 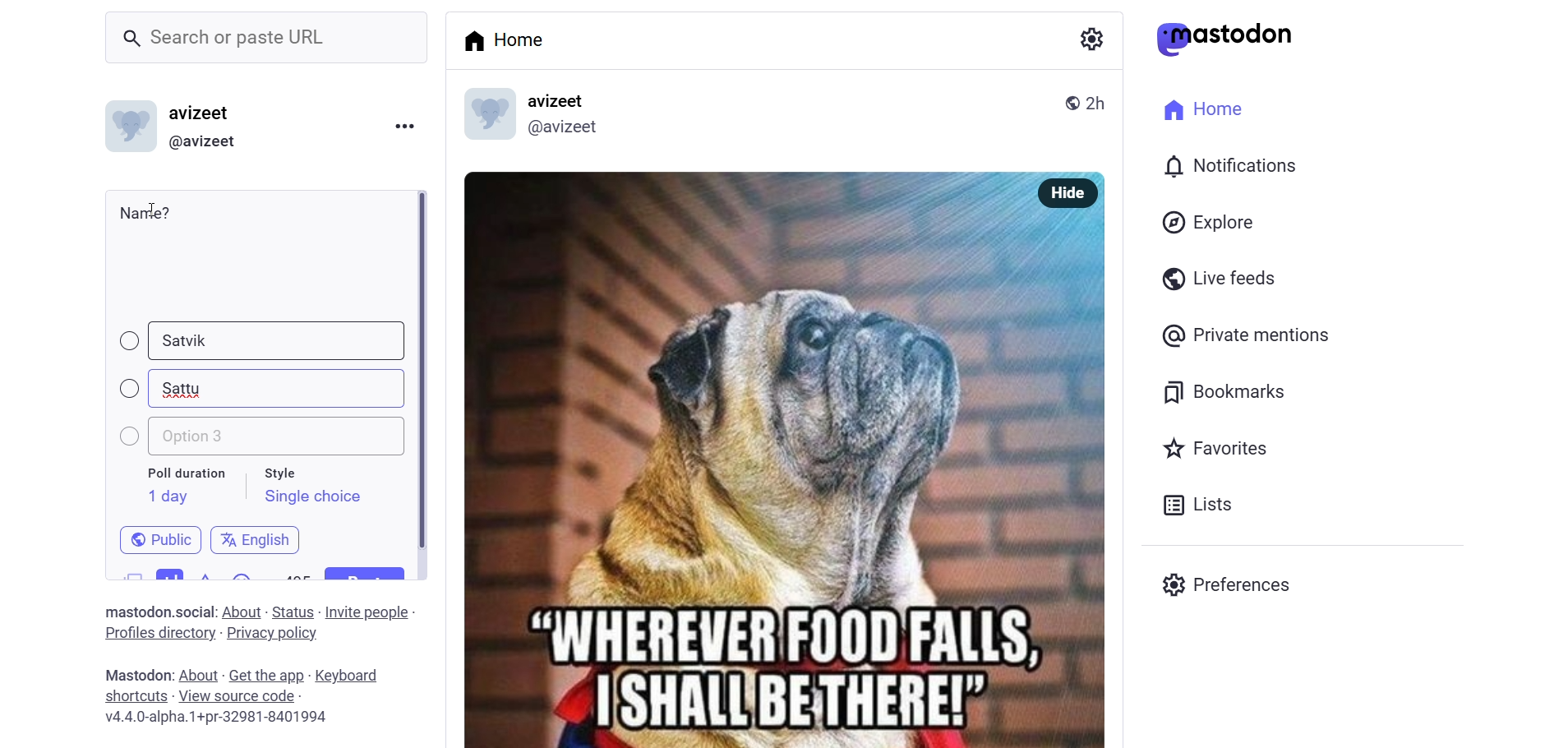 I want to click on option 3, so click(x=256, y=438).